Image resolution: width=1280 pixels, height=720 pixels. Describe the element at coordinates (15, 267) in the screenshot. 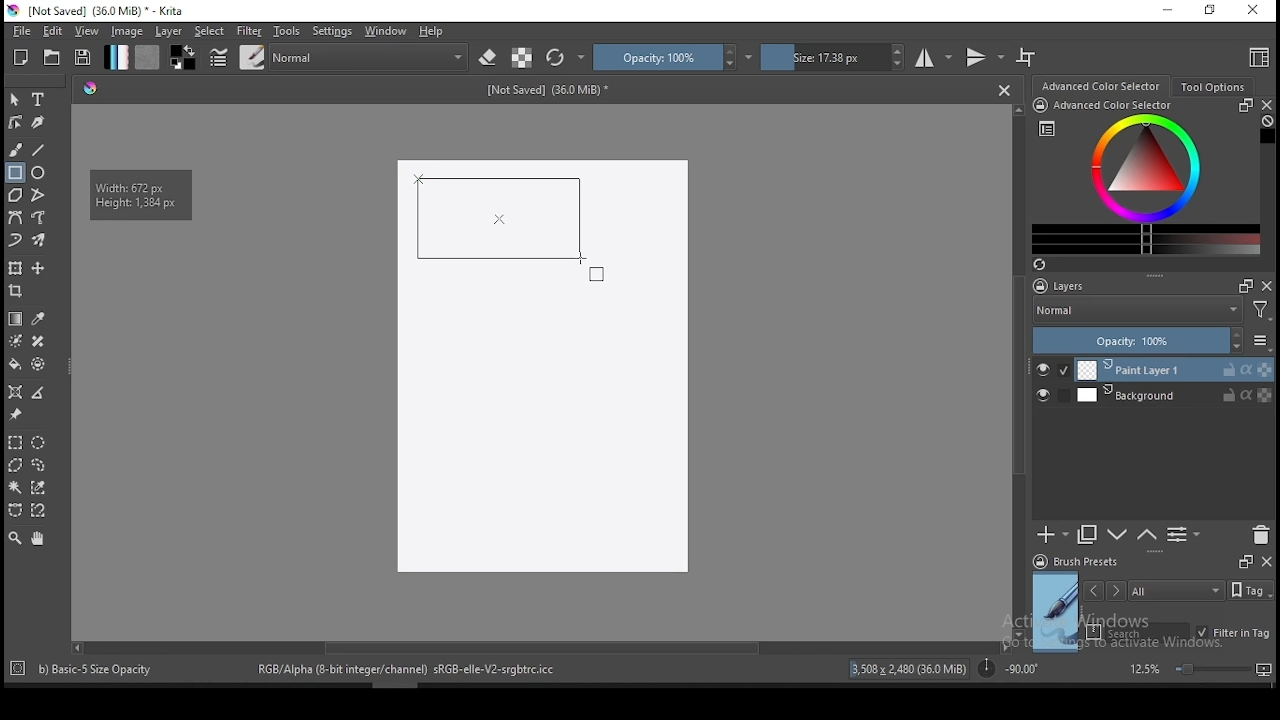

I see `transform a layer or a selection` at that location.